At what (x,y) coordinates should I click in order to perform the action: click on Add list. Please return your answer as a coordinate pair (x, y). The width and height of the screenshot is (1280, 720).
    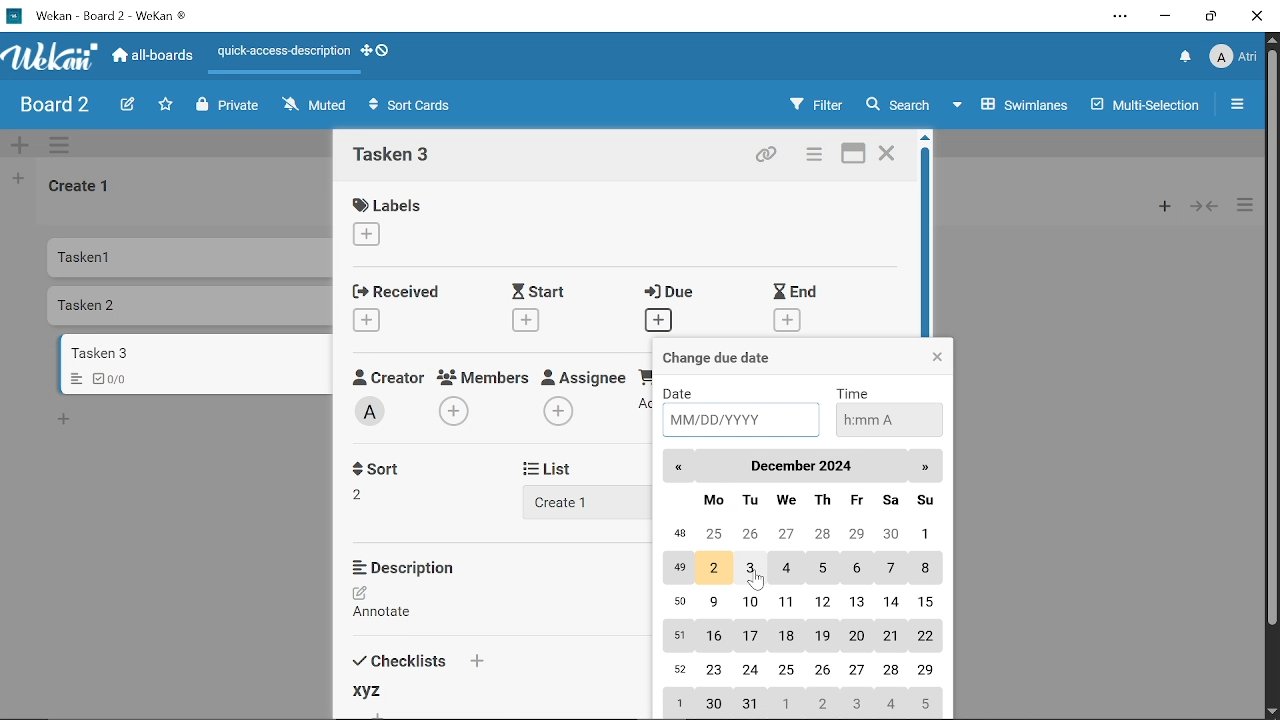
    Looking at the image, I should click on (18, 181).